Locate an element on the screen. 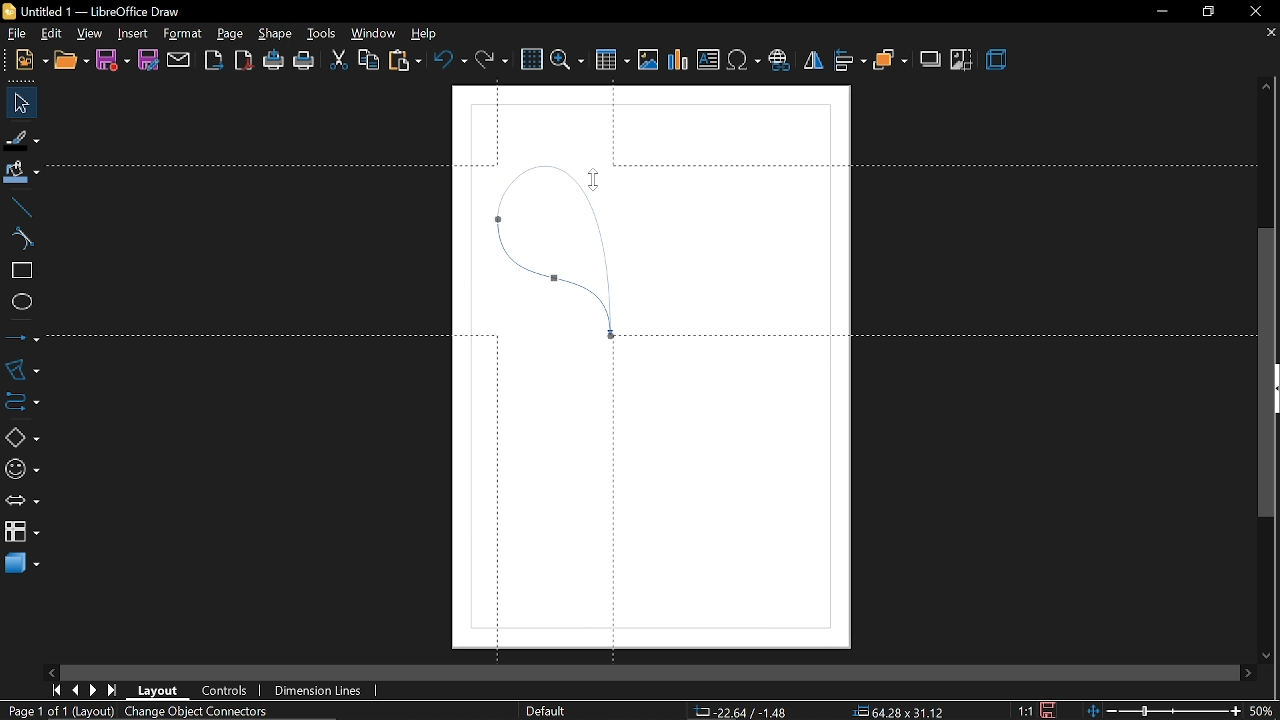 The width and height of the screenshot is (1280, 720). new is located at coordinates (24, 62).